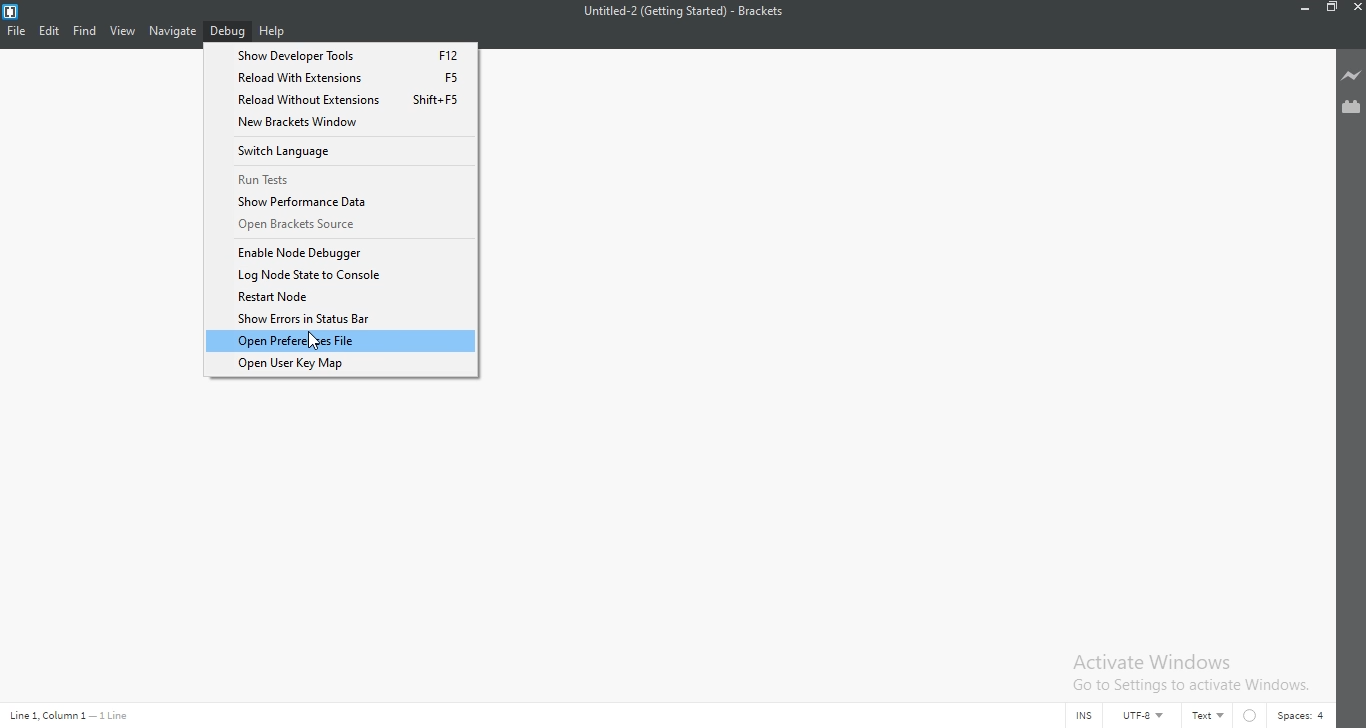  What do you see at coordinates (340, 364) in the screenshot?
I see `Open User Key Map ` at bounding box center [340, 364].